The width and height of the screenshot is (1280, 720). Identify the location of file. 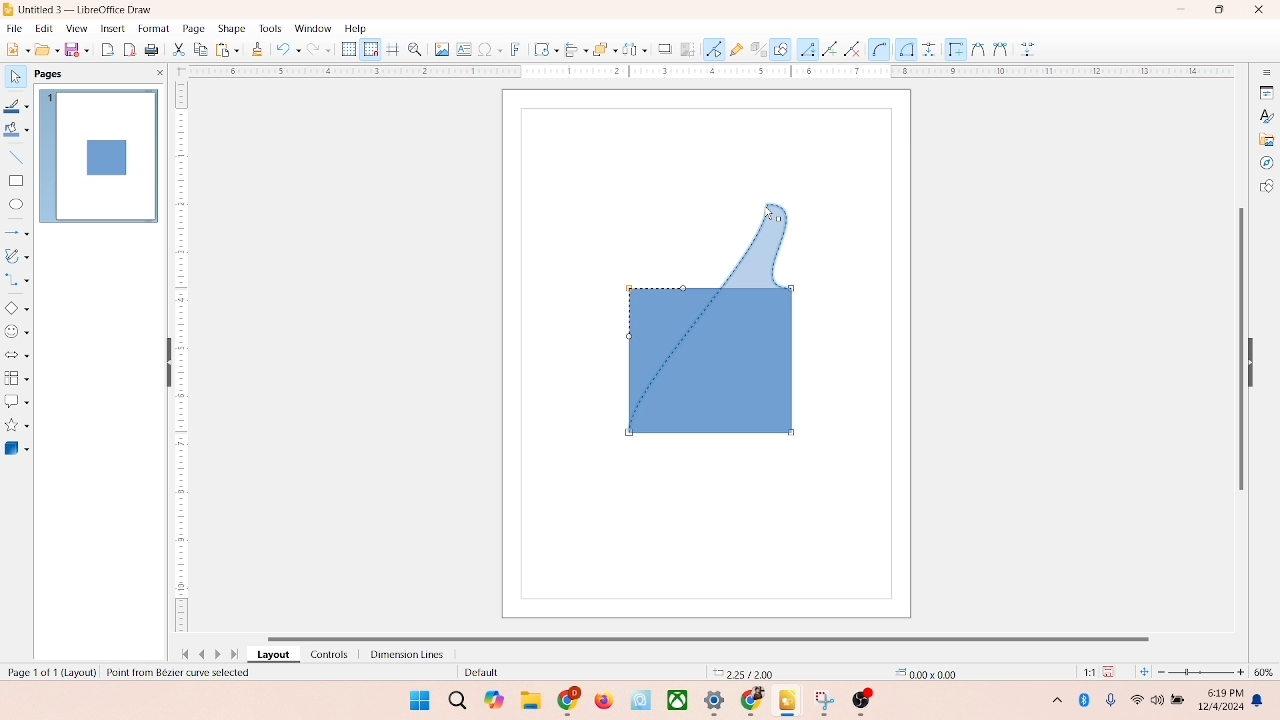
(15, 26).